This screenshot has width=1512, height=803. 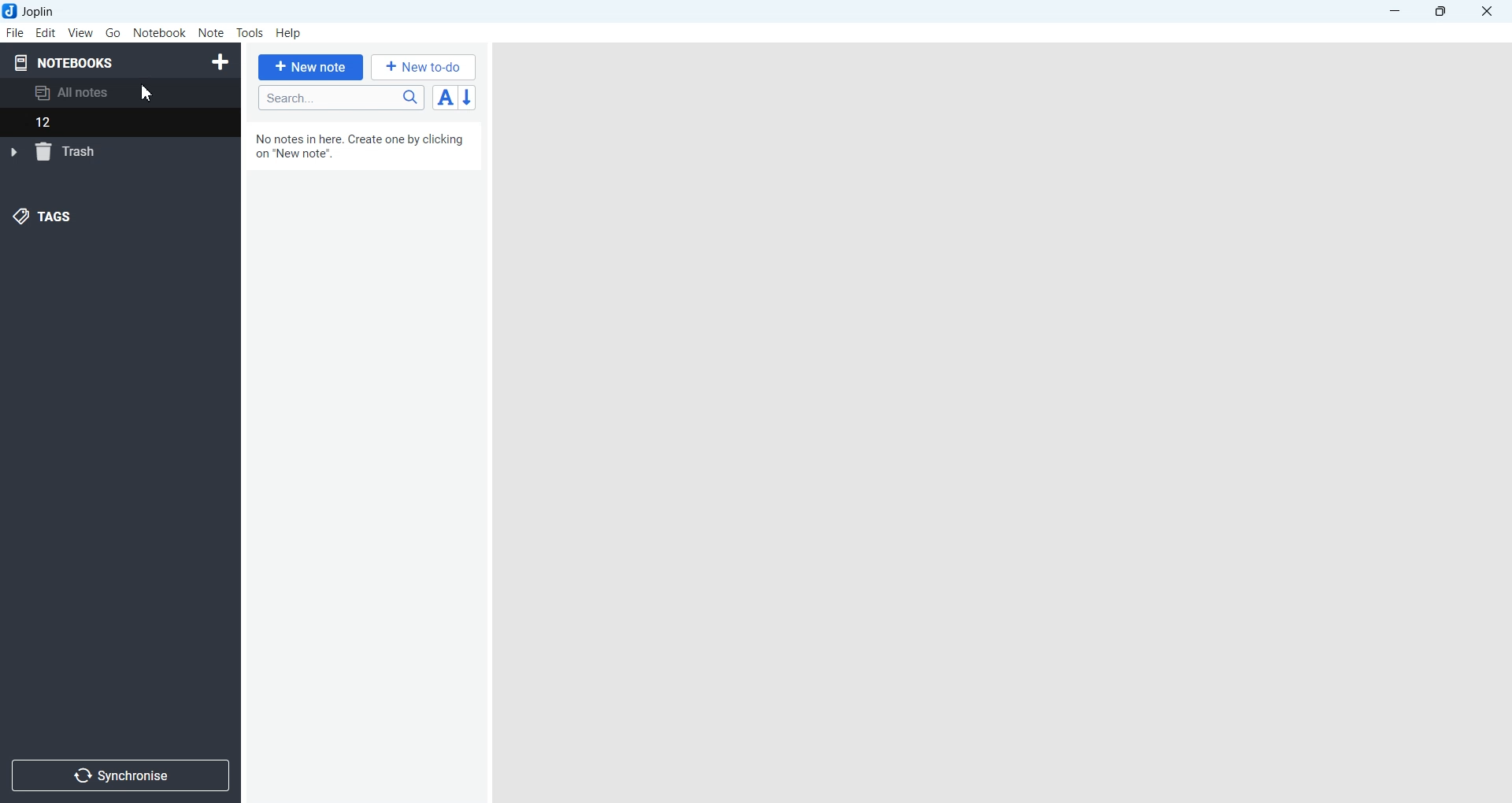 I want to click on File , so click(x=14, y=32).